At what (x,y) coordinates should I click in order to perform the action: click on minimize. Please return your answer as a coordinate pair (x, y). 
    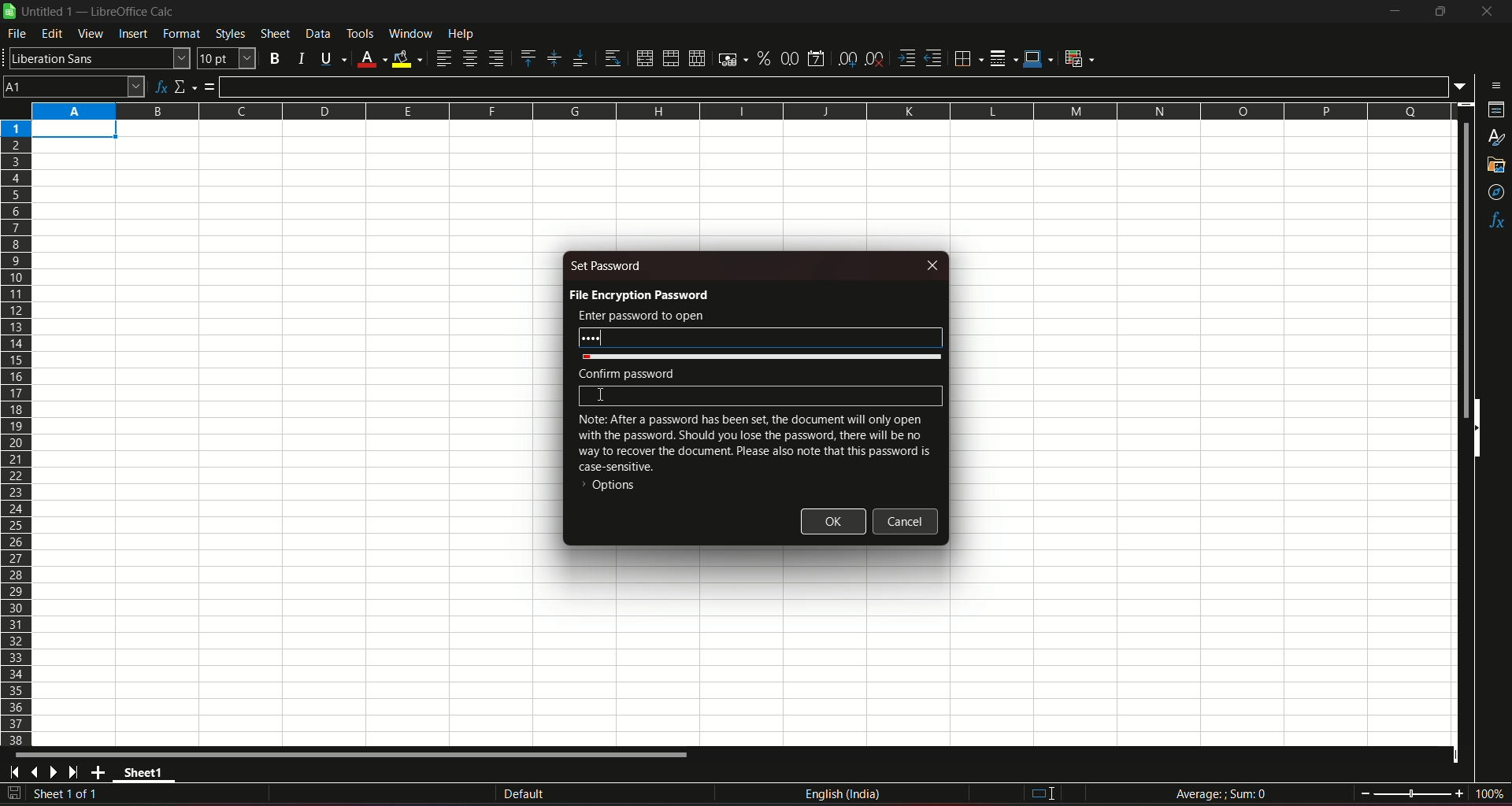
    Looking at the image, I should click on (1393, 12).